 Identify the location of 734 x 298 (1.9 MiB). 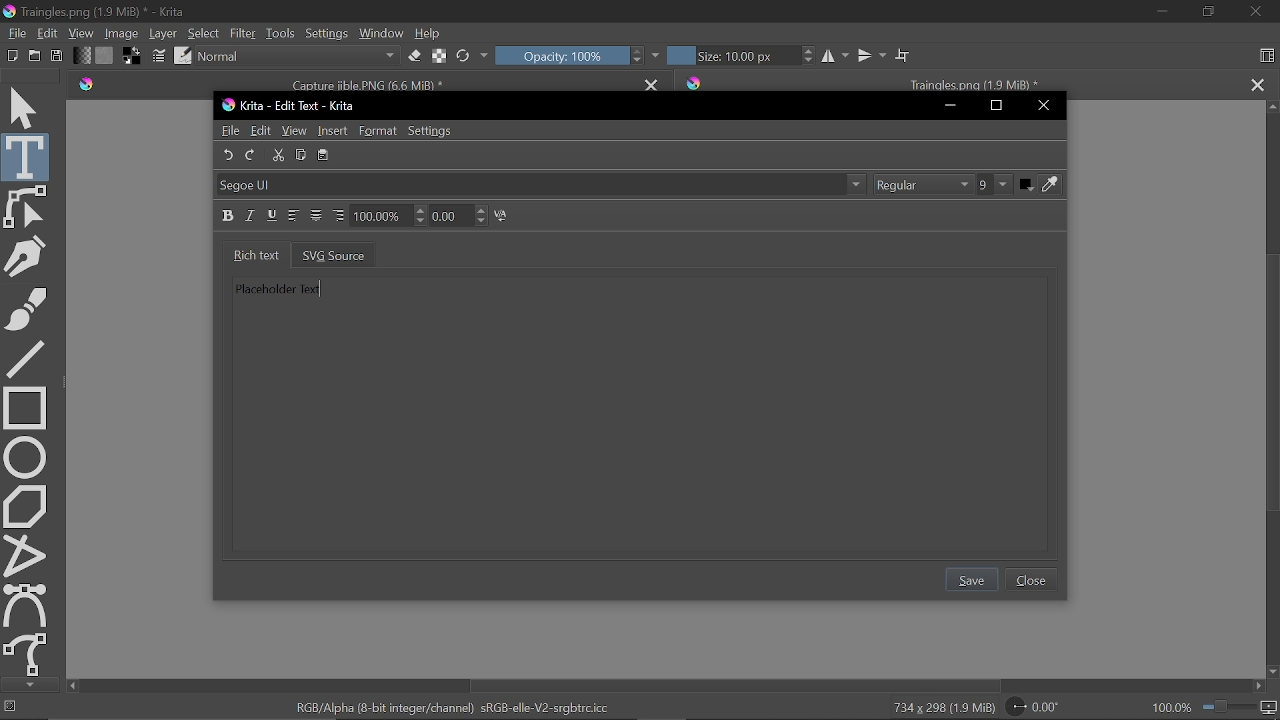
(940, 708).